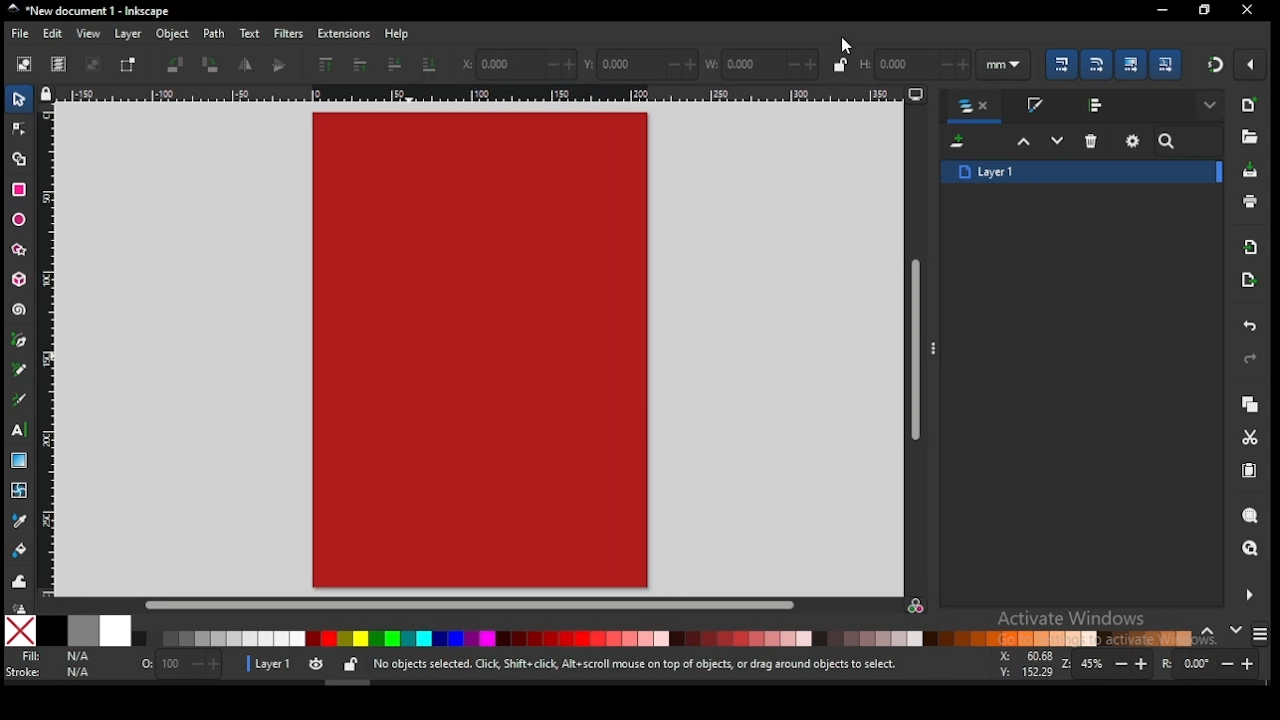 The image size is (1280, 720). I want to click on move gradient along with objects, so click(1131, 64).